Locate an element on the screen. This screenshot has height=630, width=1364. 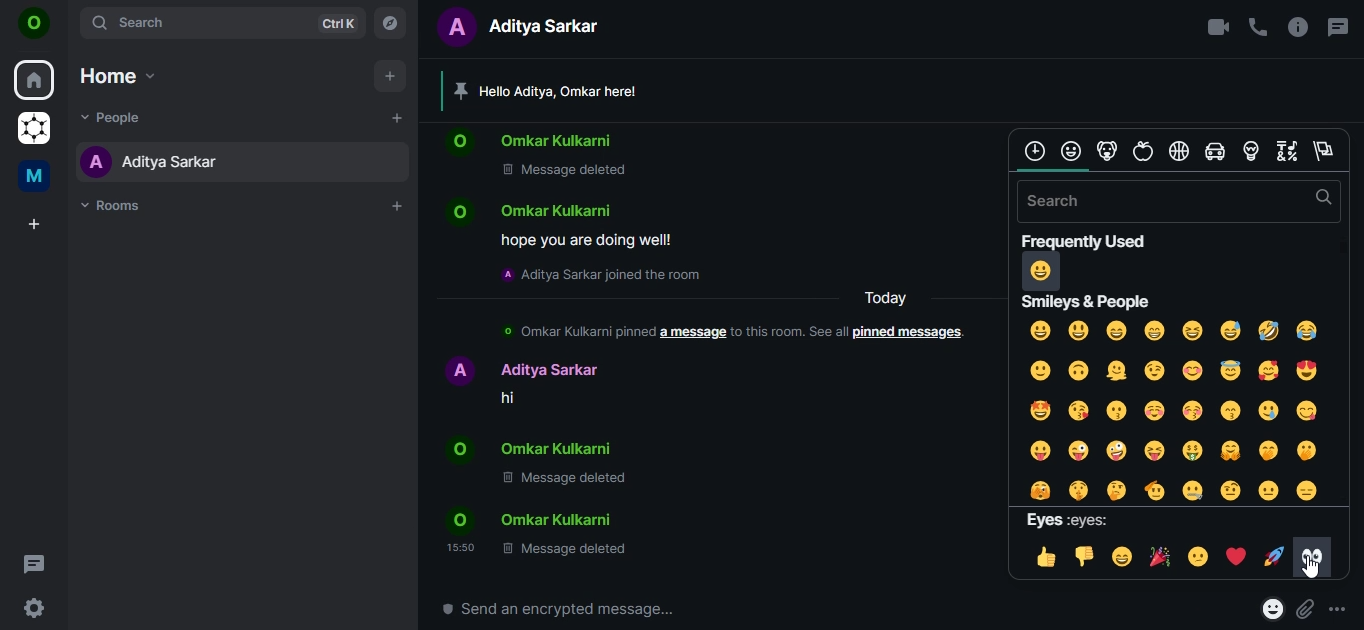
 is located at coordinates (1310, 331).